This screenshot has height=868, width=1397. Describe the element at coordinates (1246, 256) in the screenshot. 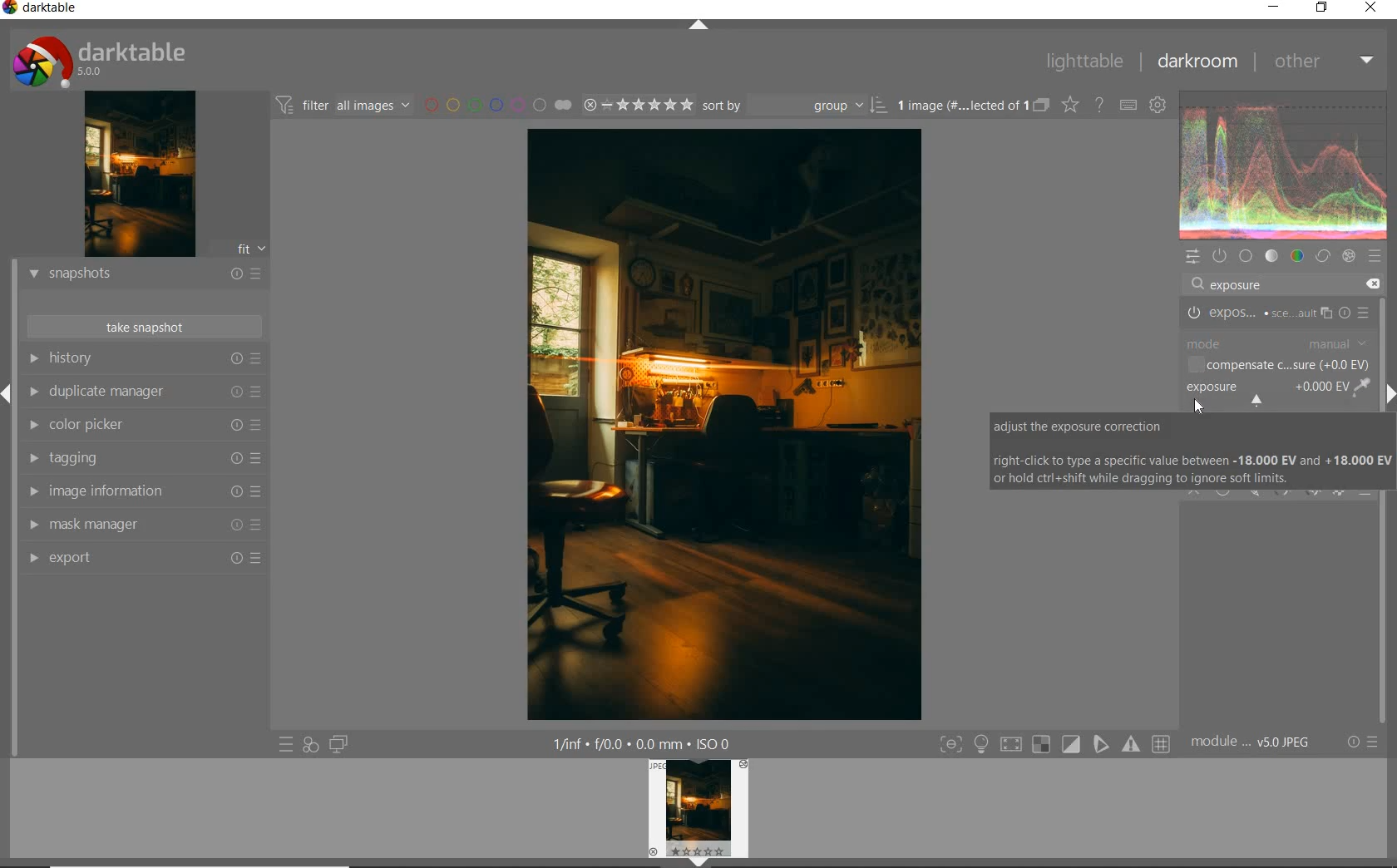

I see `base` at that location.